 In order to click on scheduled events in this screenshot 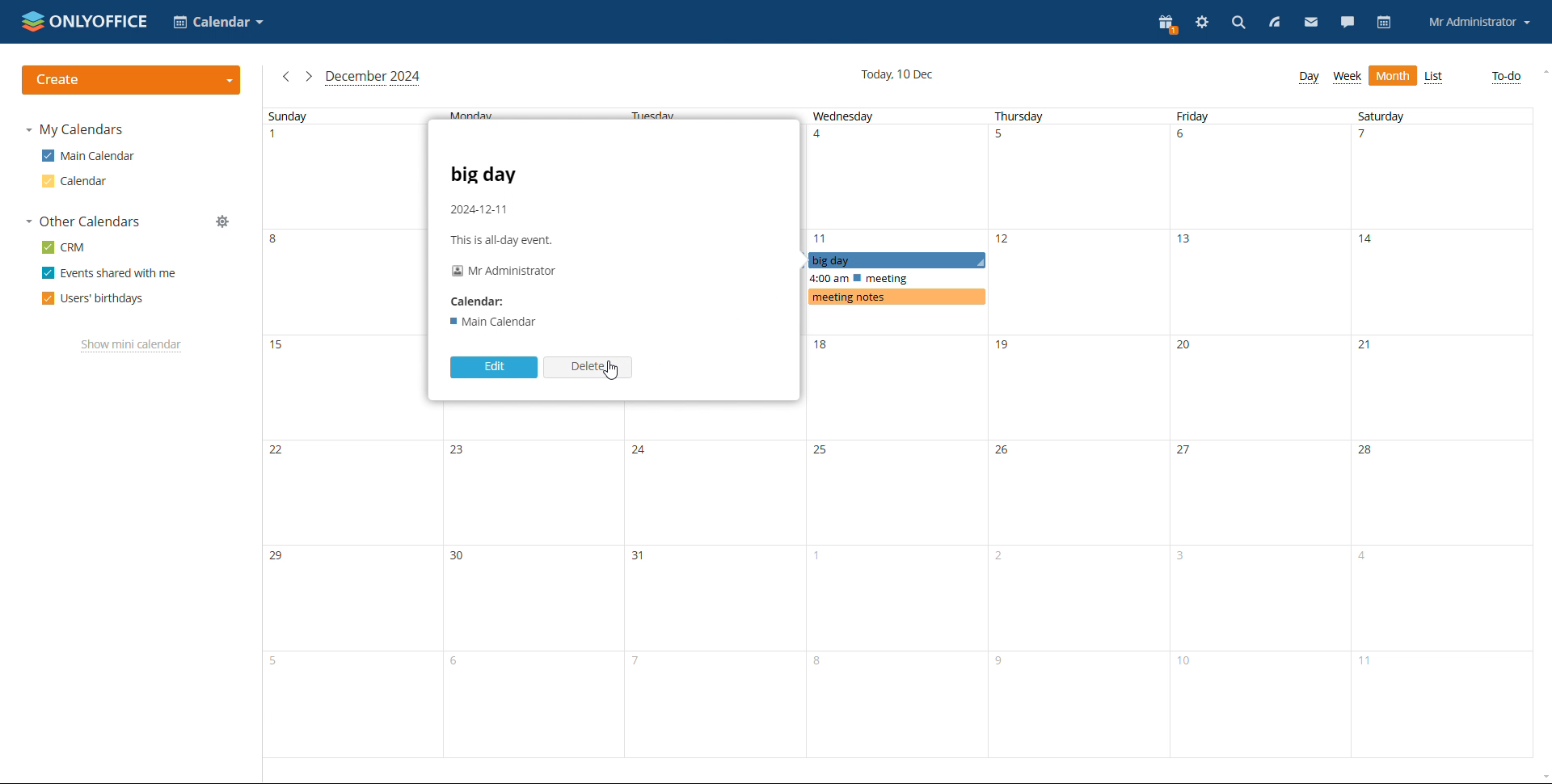, I will do `click(896, 278)`.